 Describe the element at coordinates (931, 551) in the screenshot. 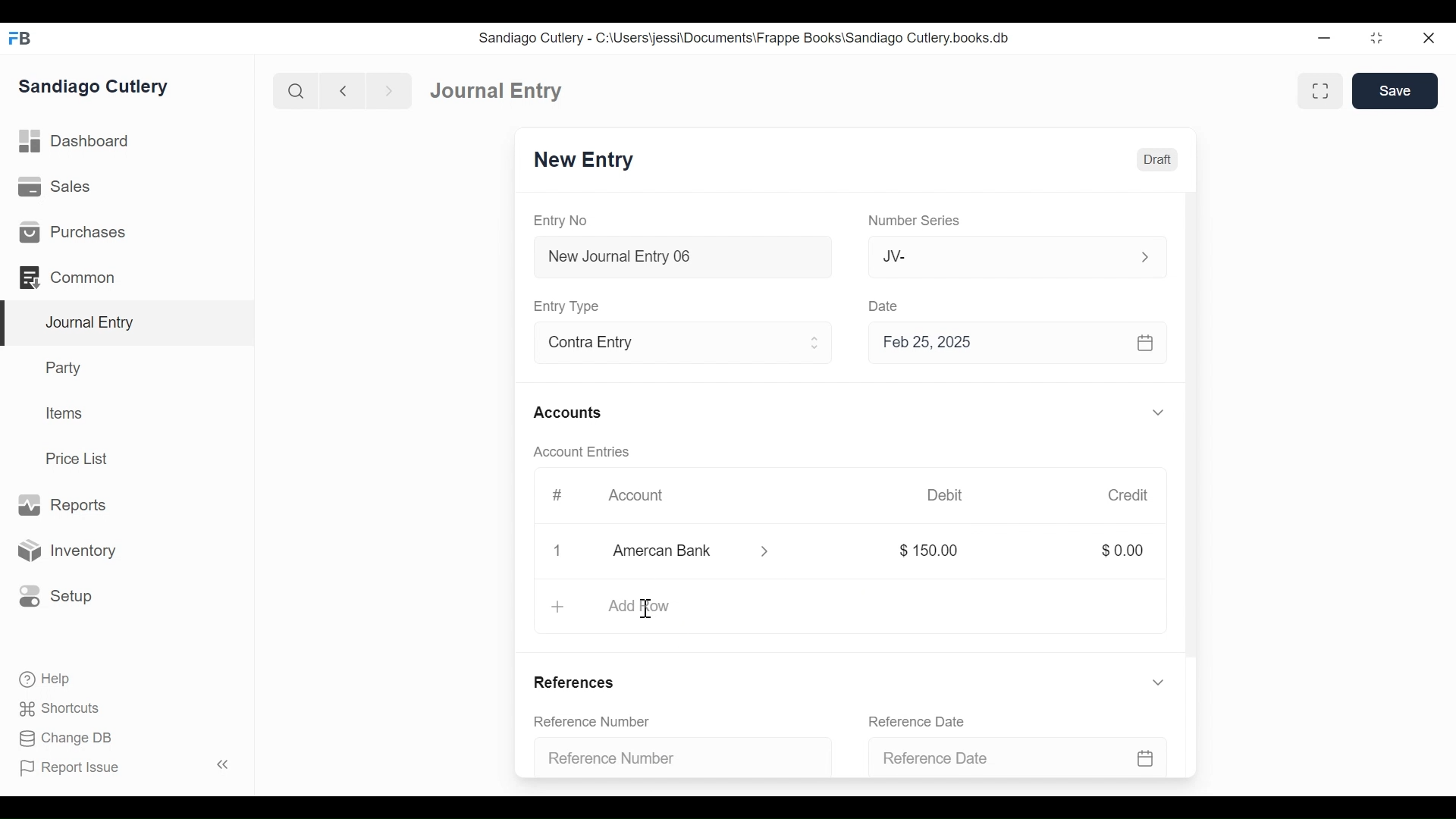

I see `$ 150.00` at that location.